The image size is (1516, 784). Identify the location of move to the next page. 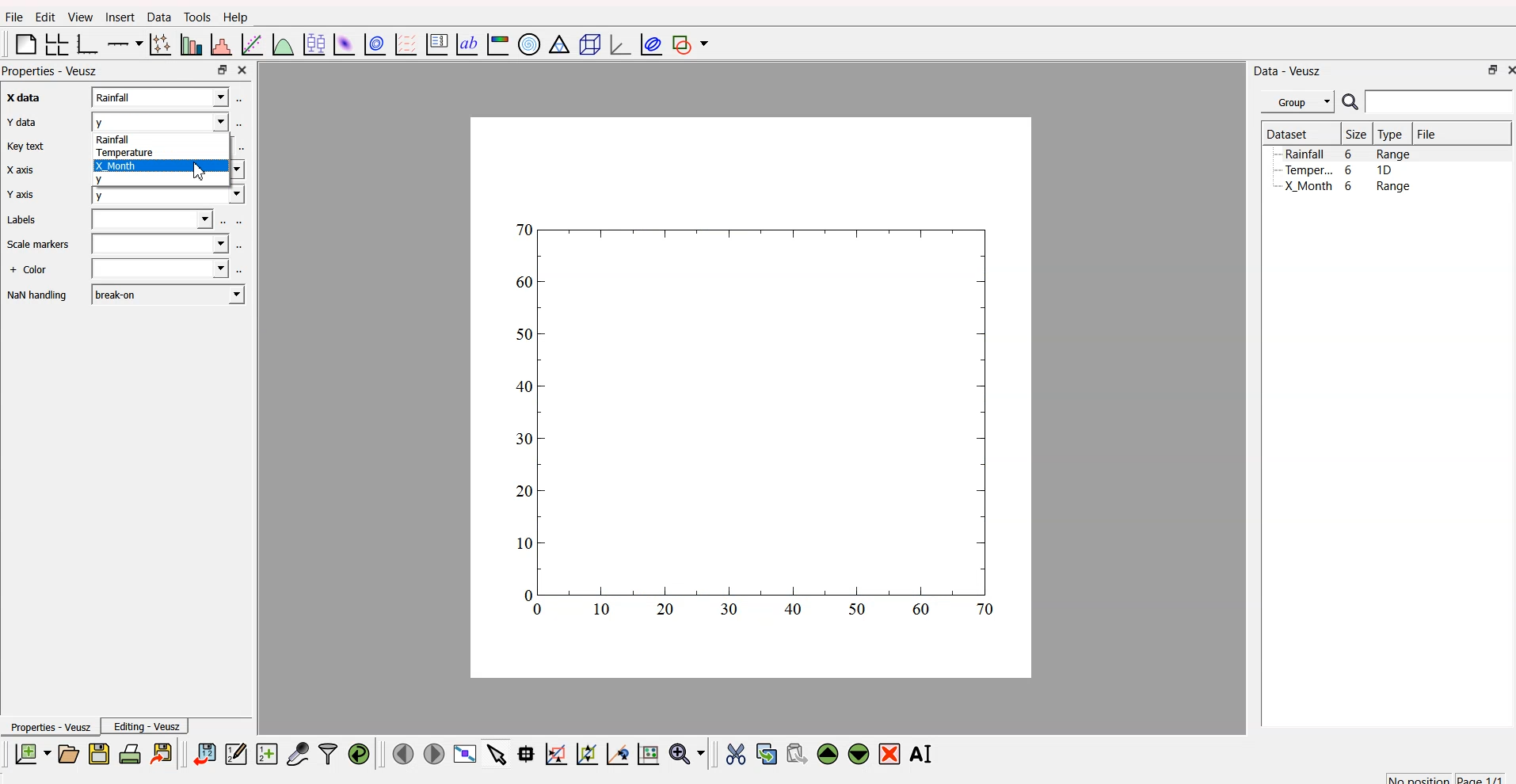
(436, 754).